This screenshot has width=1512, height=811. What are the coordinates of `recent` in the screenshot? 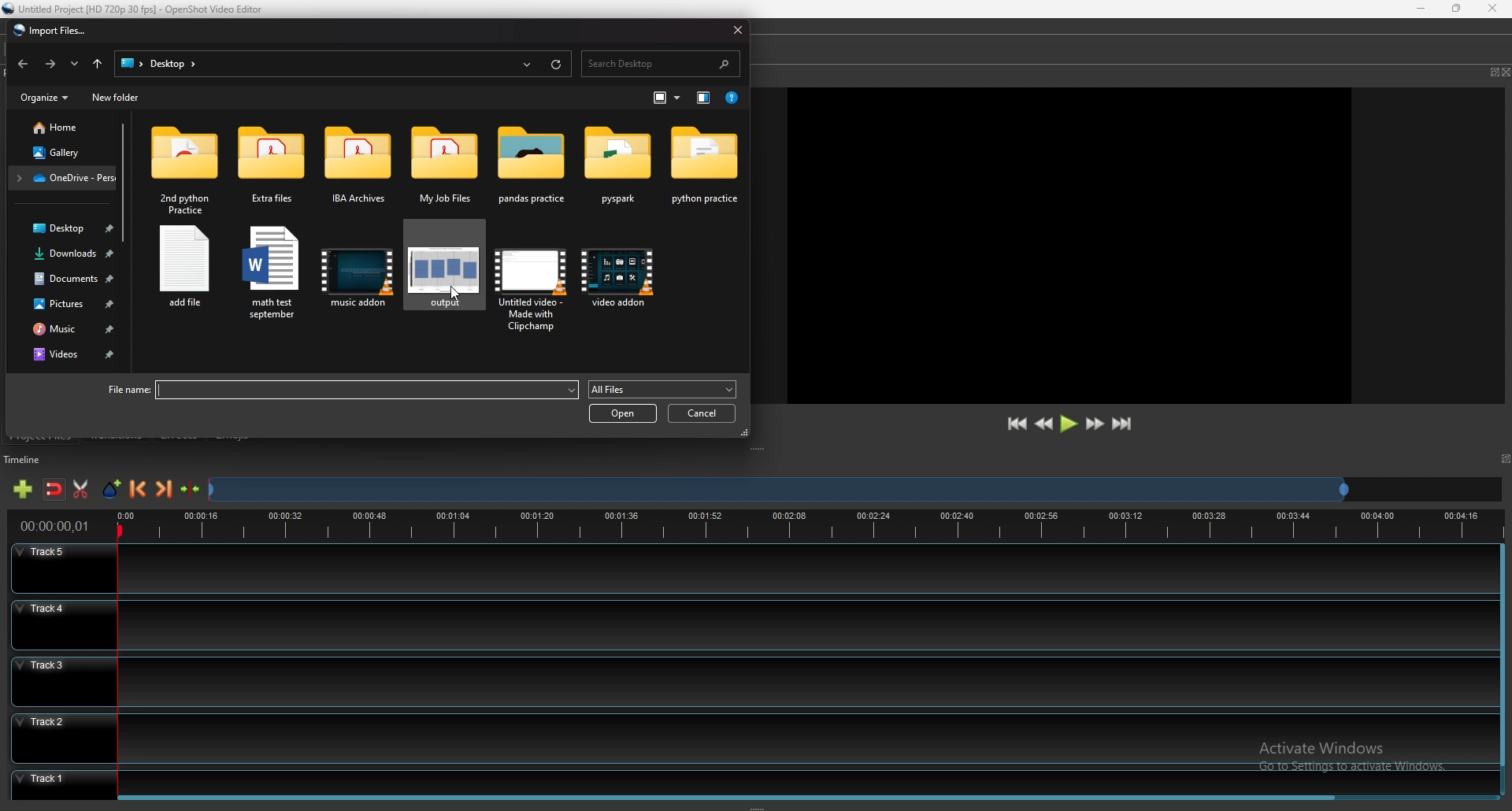 It's located at (76, 64).